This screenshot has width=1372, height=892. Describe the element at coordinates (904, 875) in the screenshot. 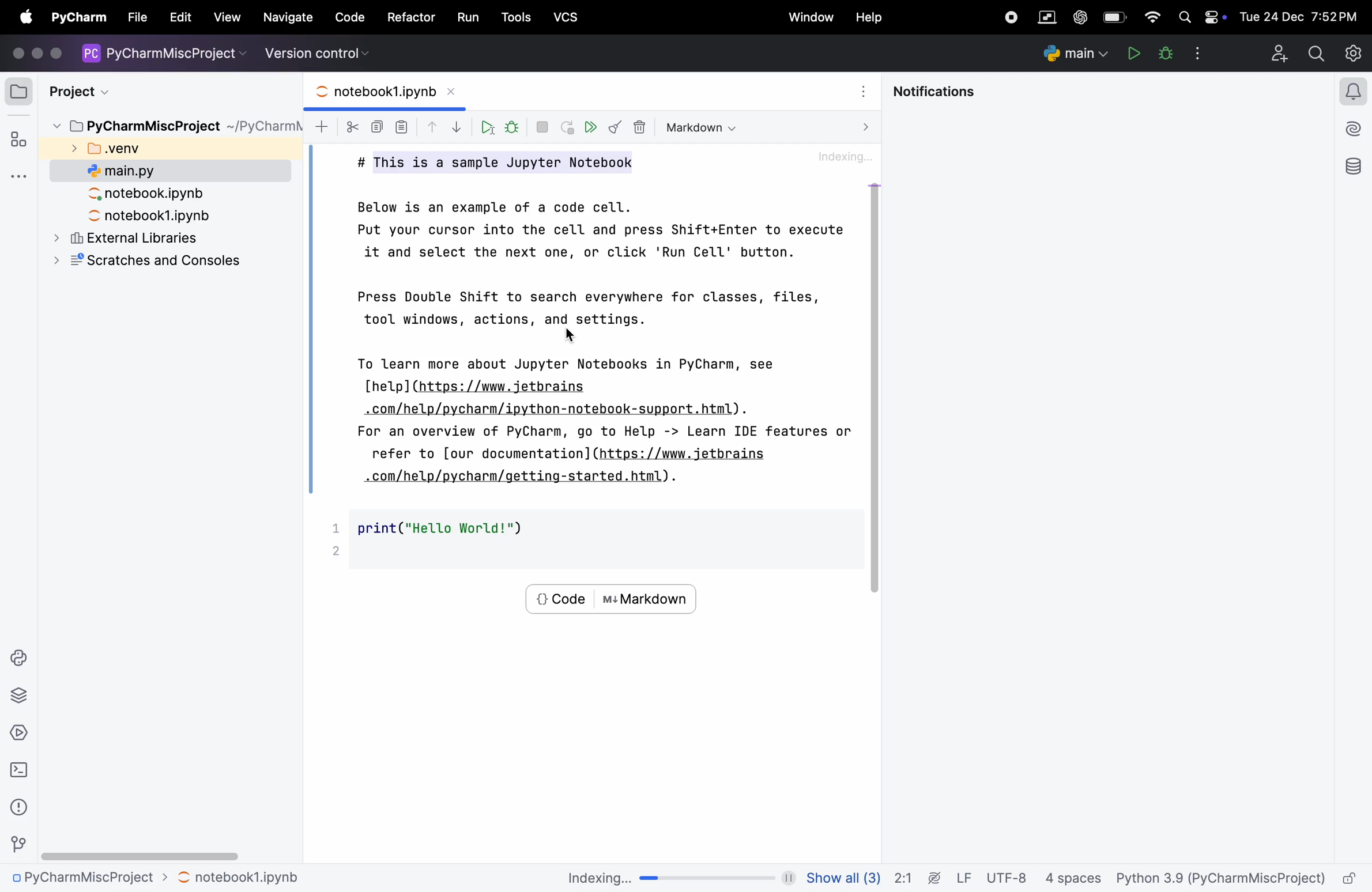

I see `2:1` at that location.